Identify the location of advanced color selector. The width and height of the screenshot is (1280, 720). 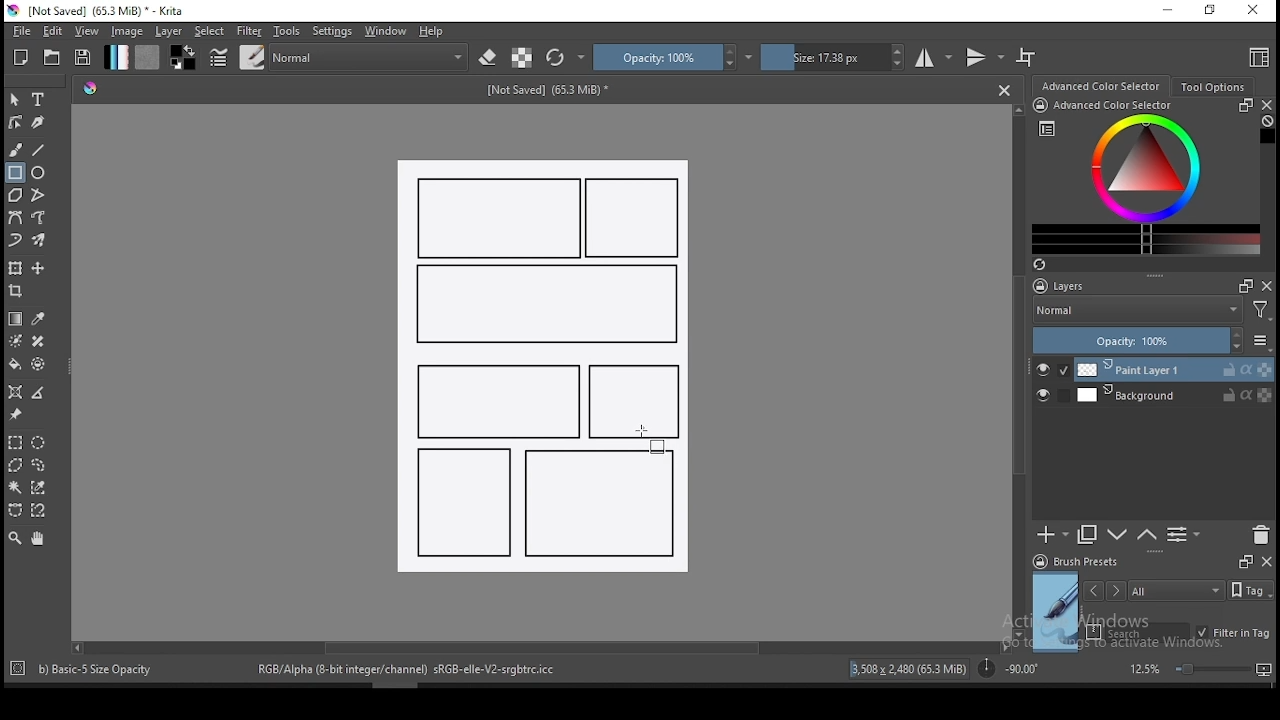
(1142, 176).